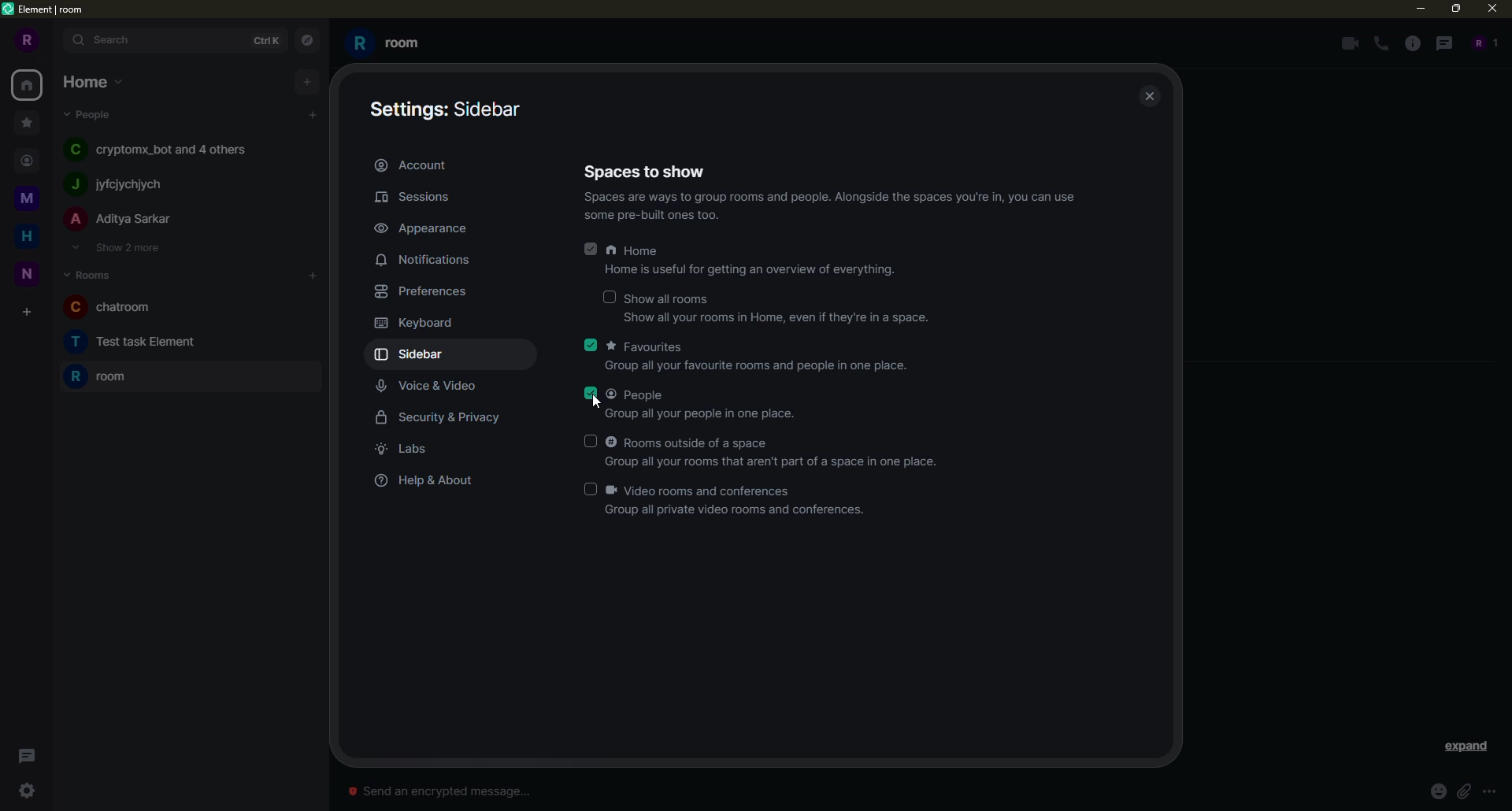 Image resolution: width=1512 pixels, height=811 pixels. Describe the element at coordinates (645, 170) in the screenshot. I see `spaces to show` at that location.